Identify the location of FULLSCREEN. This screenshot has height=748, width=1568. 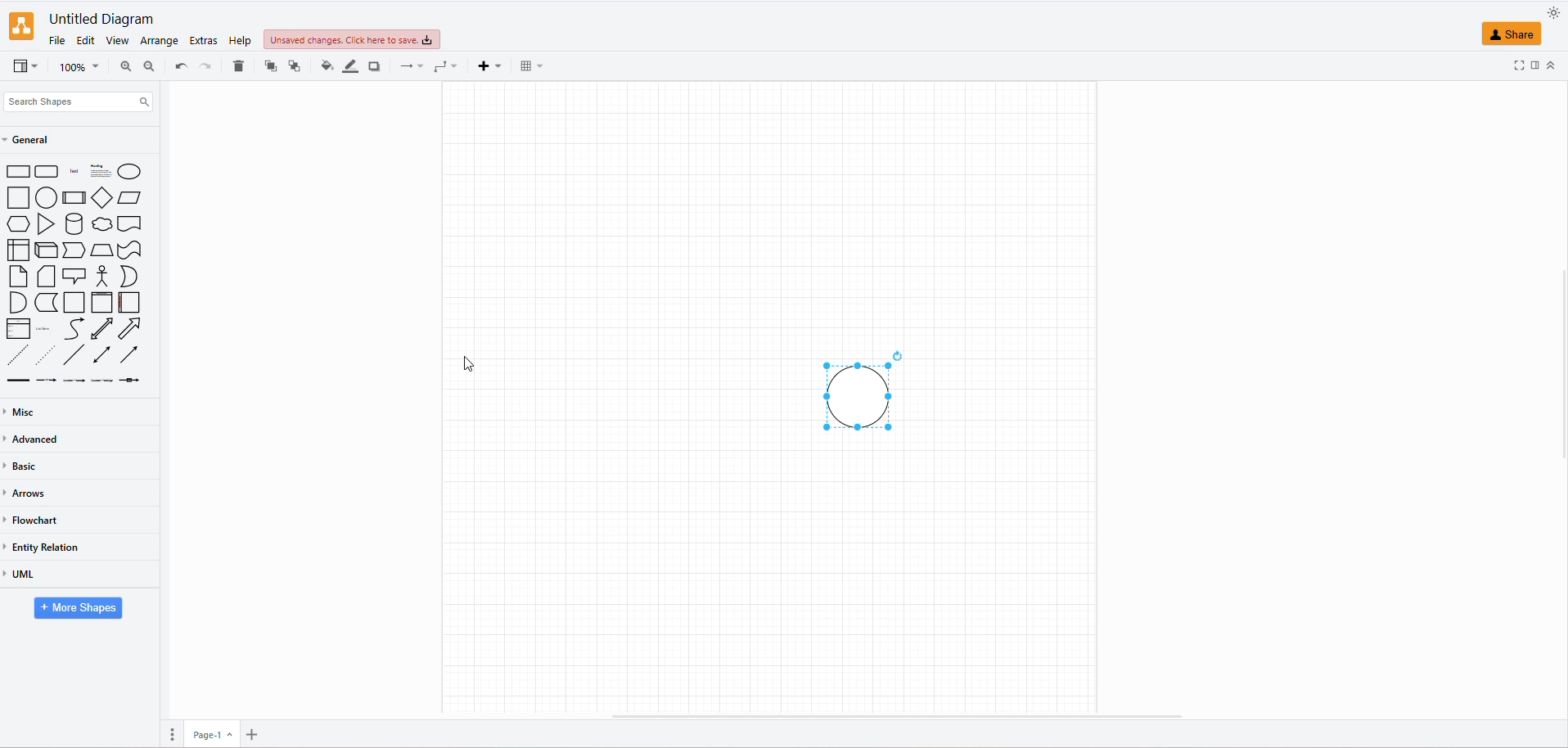
(1518, 65).